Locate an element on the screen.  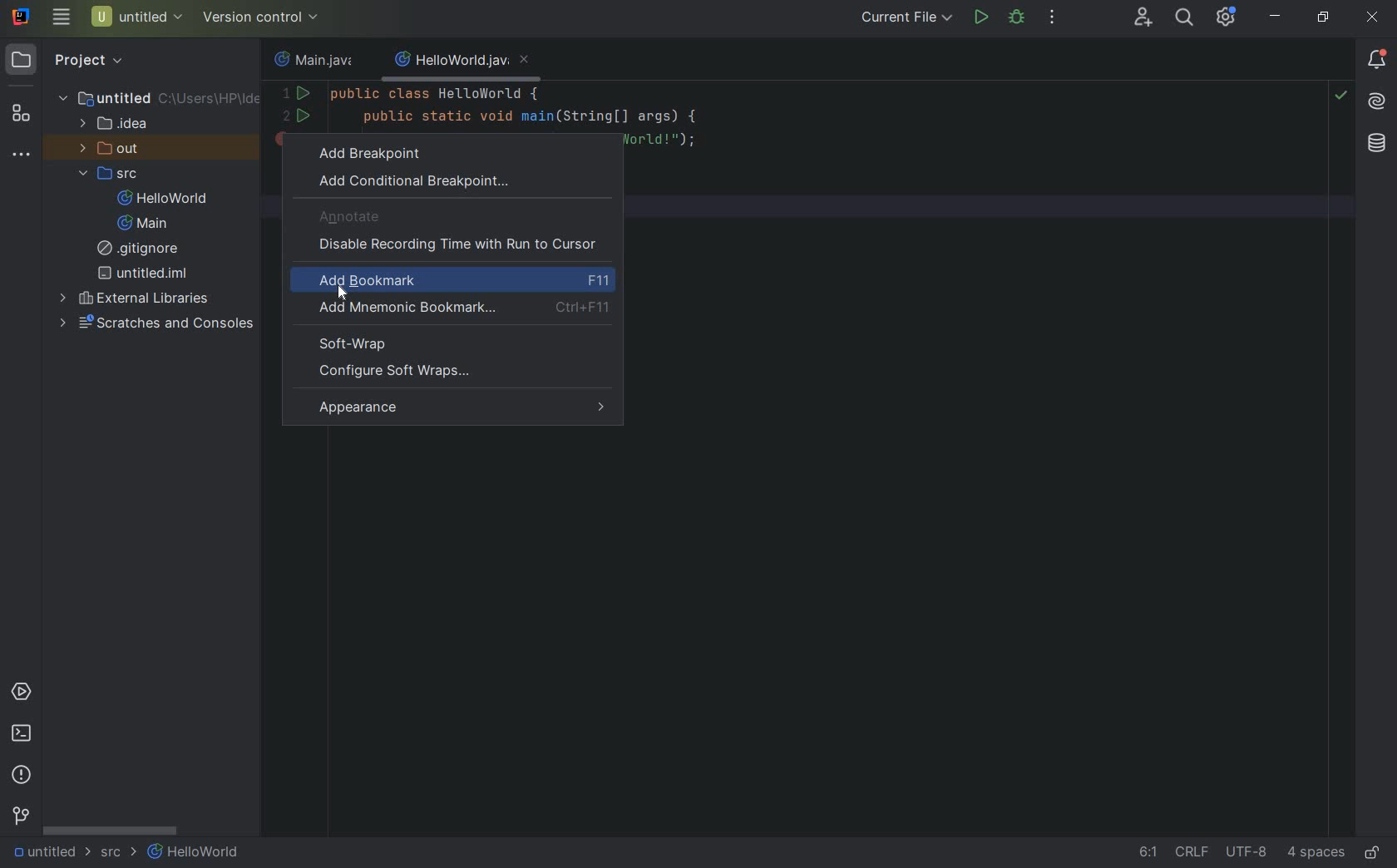
run is located at coordinates (980, 17).